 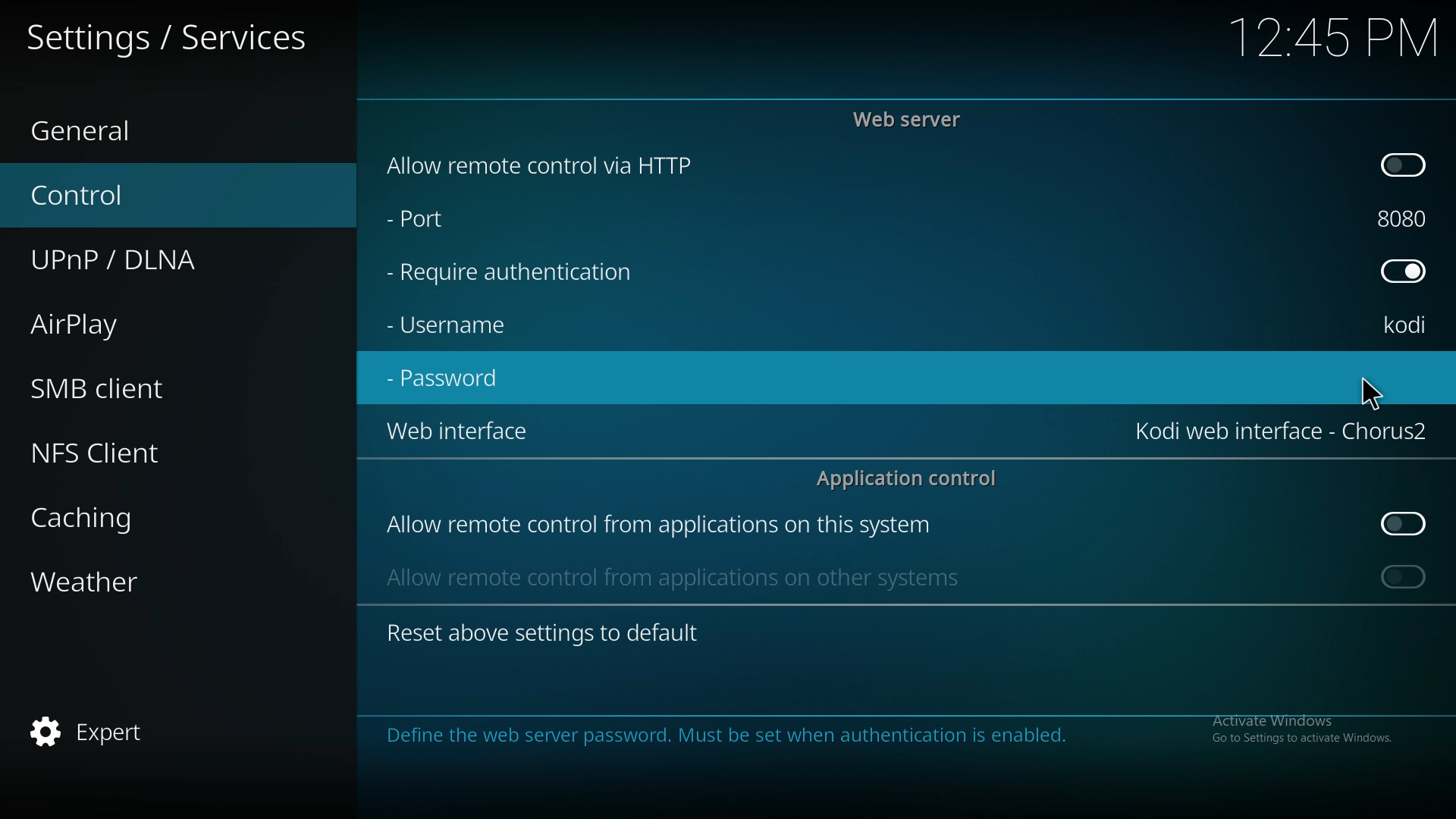 I want to click on caching, so click(x=139, y=518).